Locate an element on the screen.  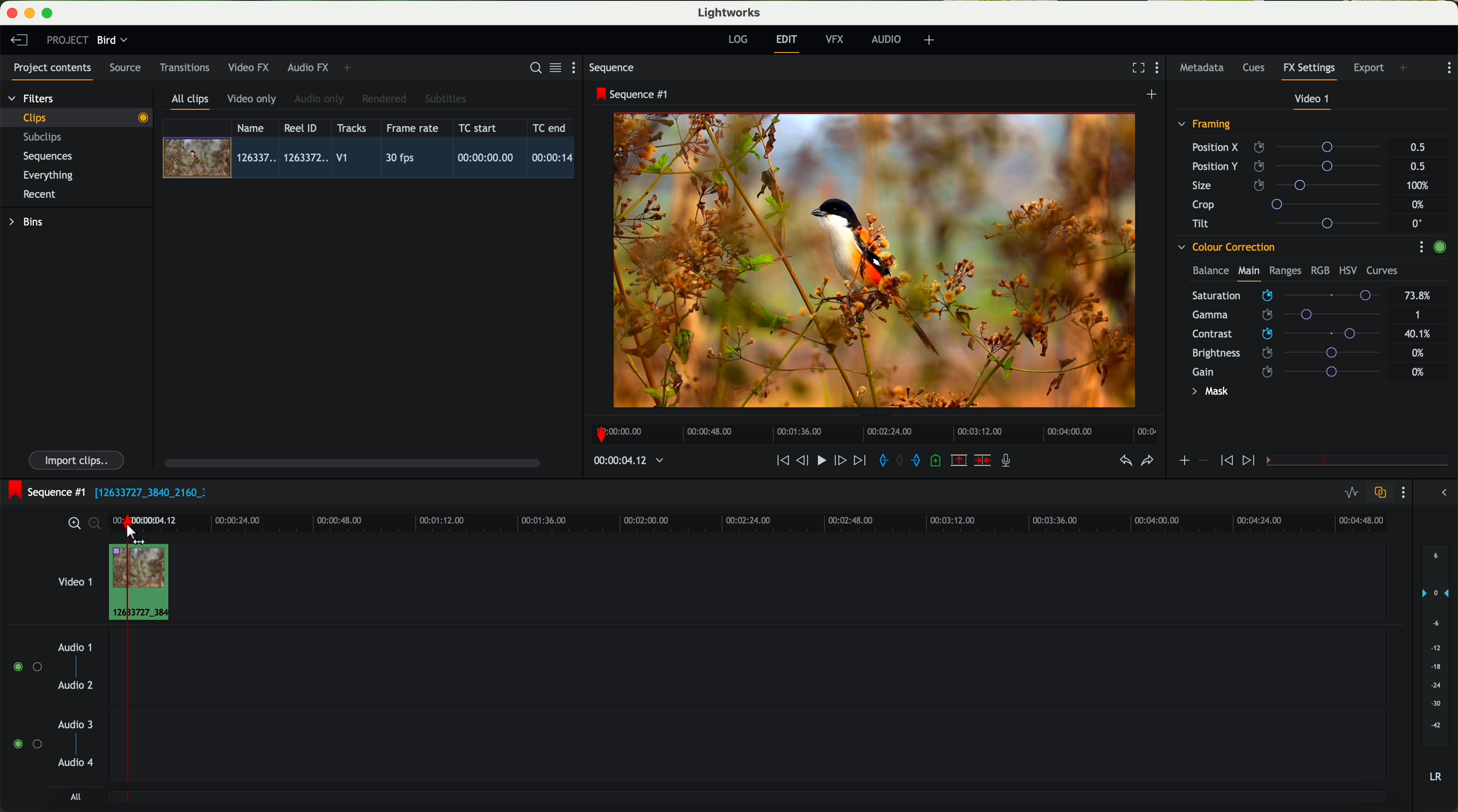
tracks is located at coordinates (350, 128).